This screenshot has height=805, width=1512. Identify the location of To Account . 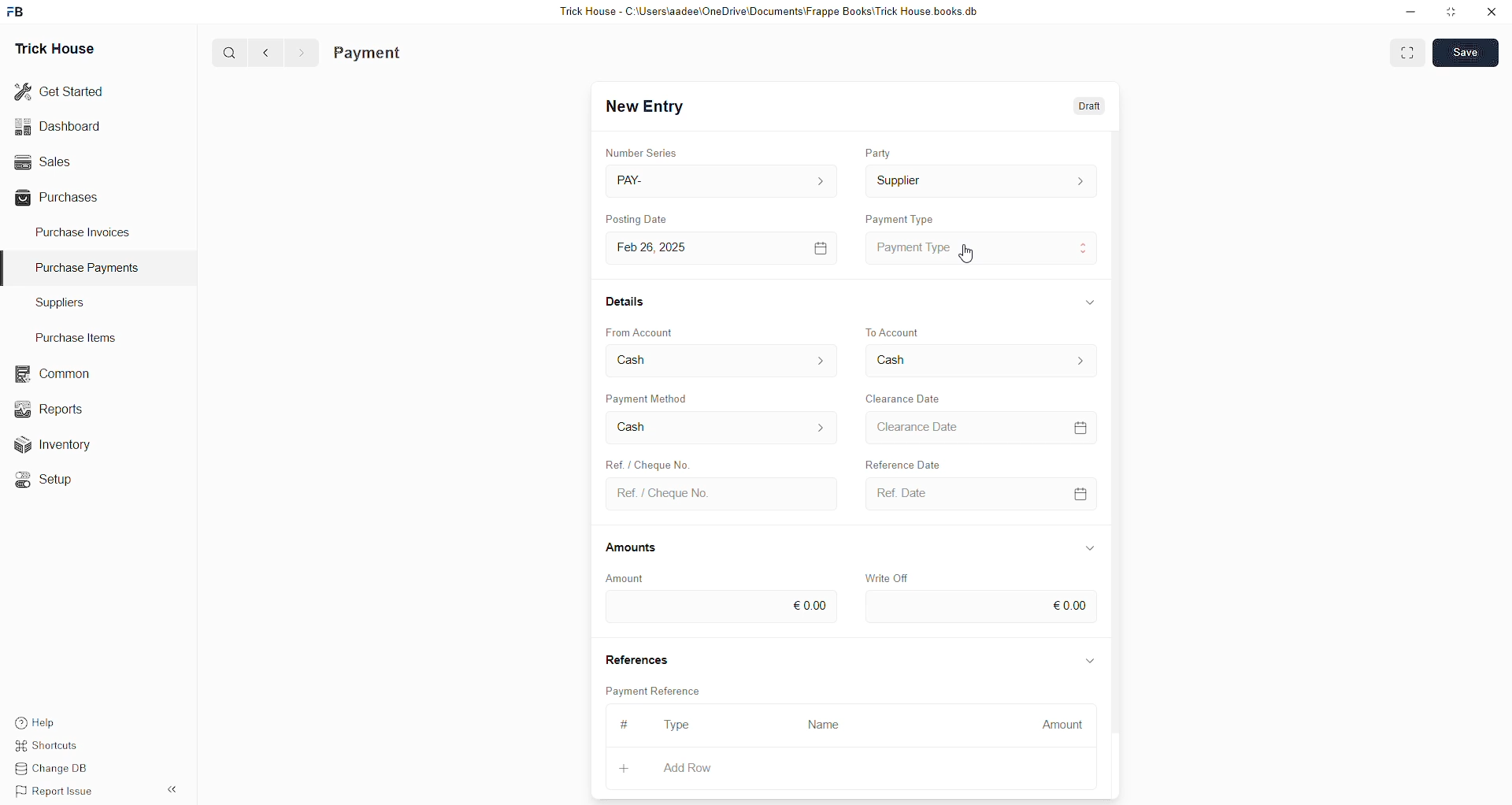
(978, 362).